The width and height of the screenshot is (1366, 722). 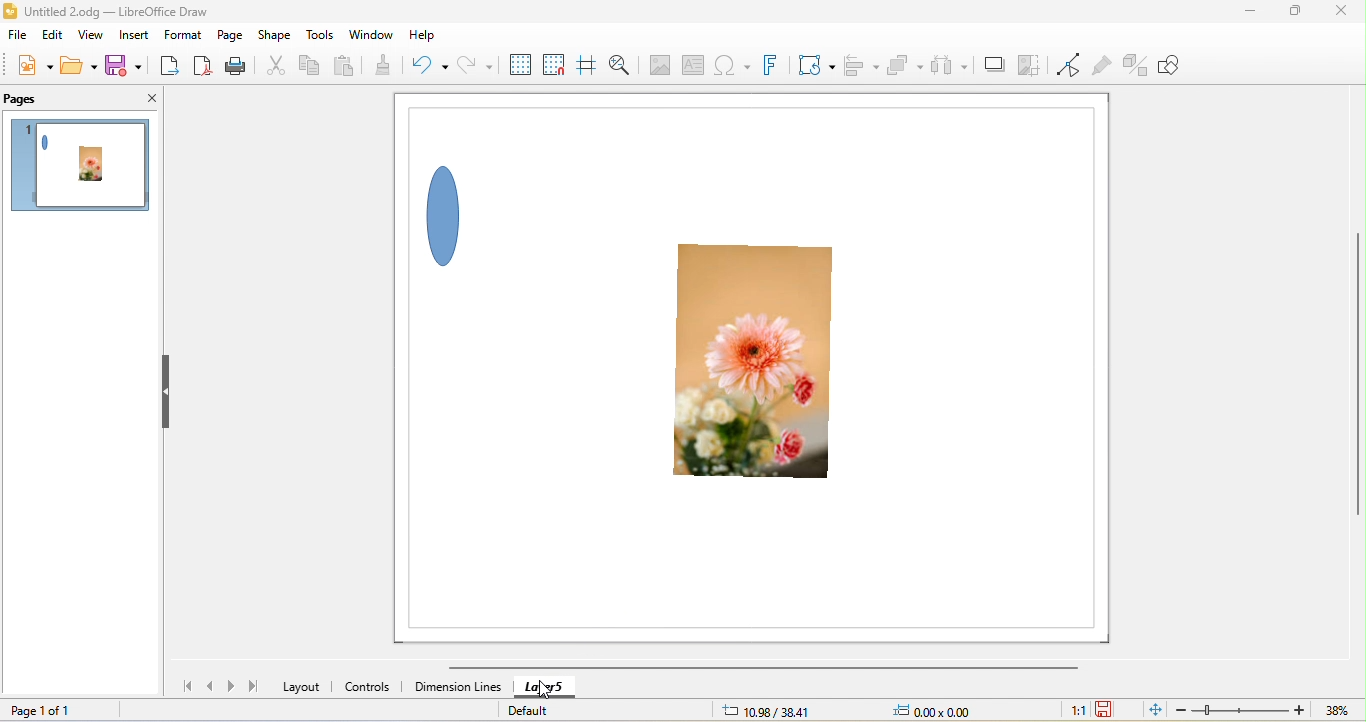 I want to click on shape, so click(x=450, y=212).